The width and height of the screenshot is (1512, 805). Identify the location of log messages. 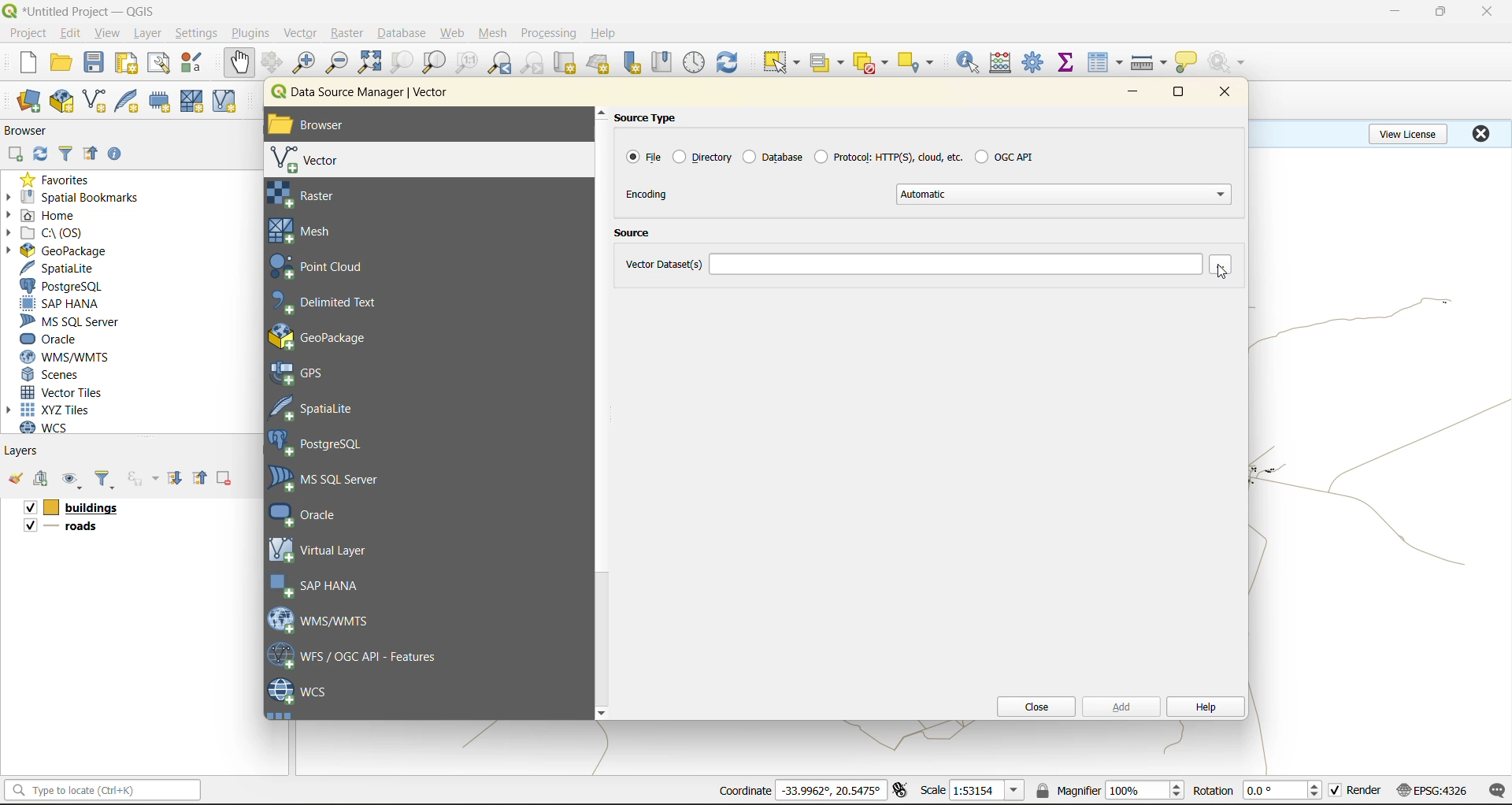
(1498, 791).